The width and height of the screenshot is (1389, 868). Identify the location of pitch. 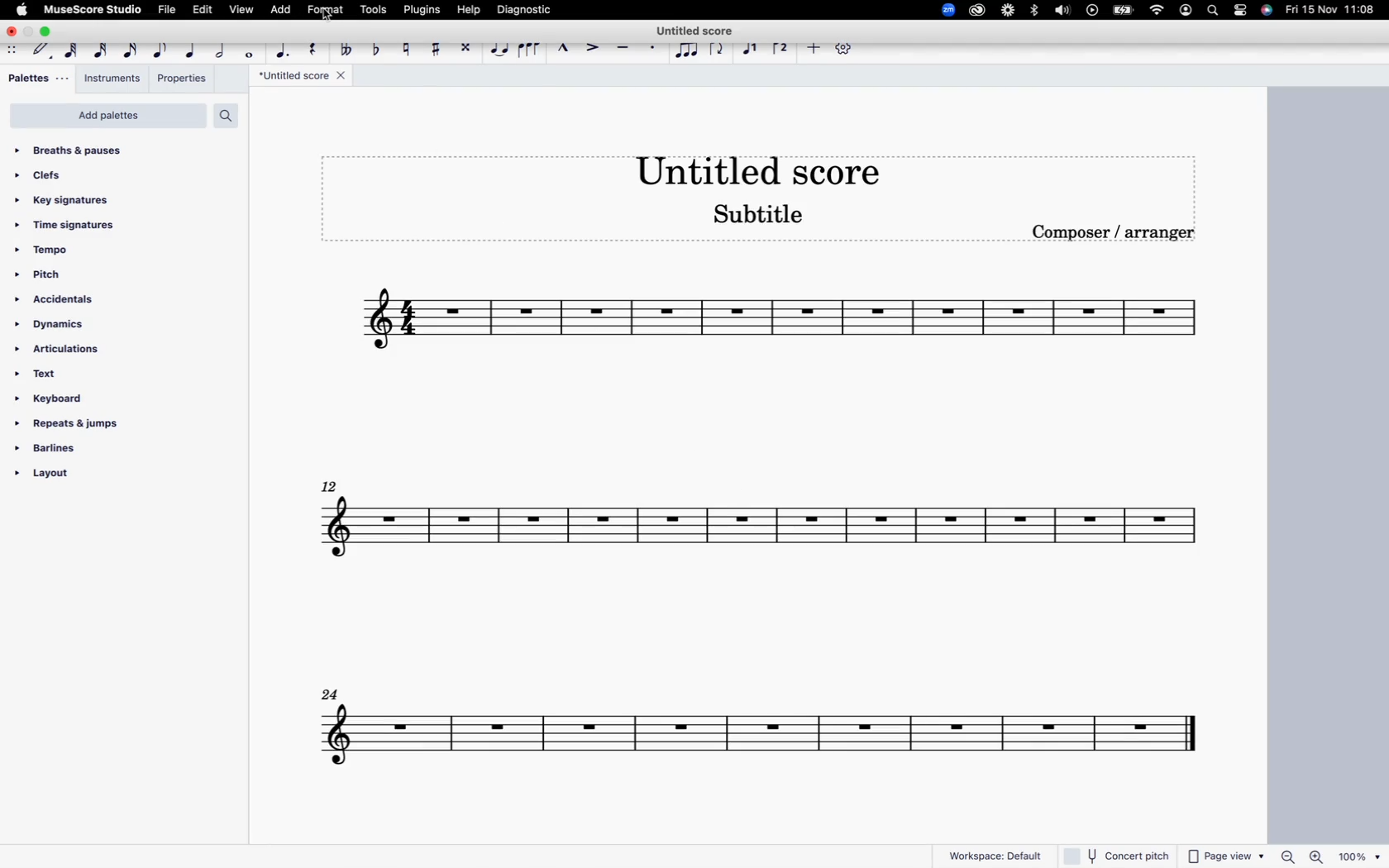
(45, 274).